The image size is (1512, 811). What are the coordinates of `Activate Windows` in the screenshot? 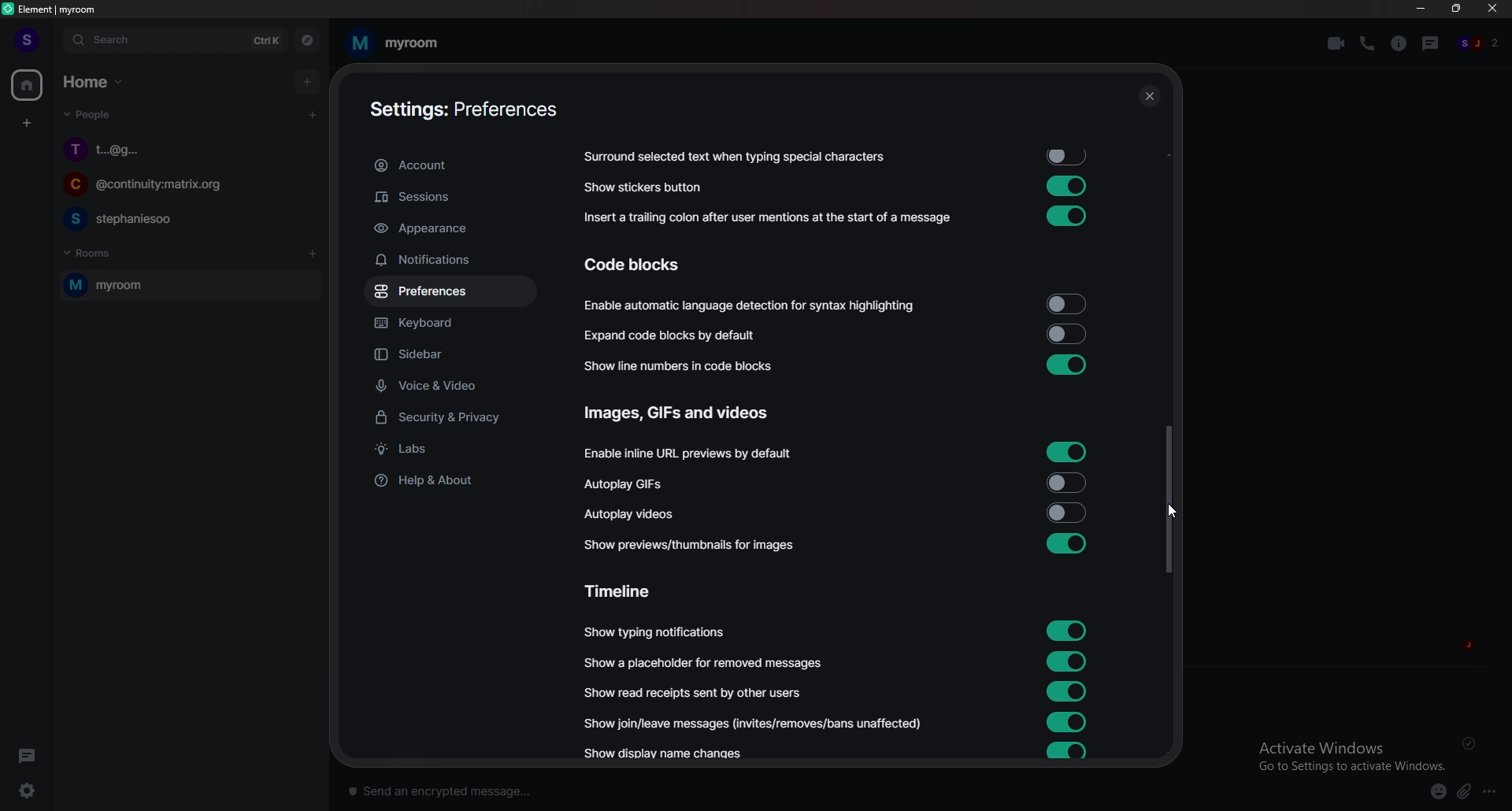 It's located at (1346, 754).